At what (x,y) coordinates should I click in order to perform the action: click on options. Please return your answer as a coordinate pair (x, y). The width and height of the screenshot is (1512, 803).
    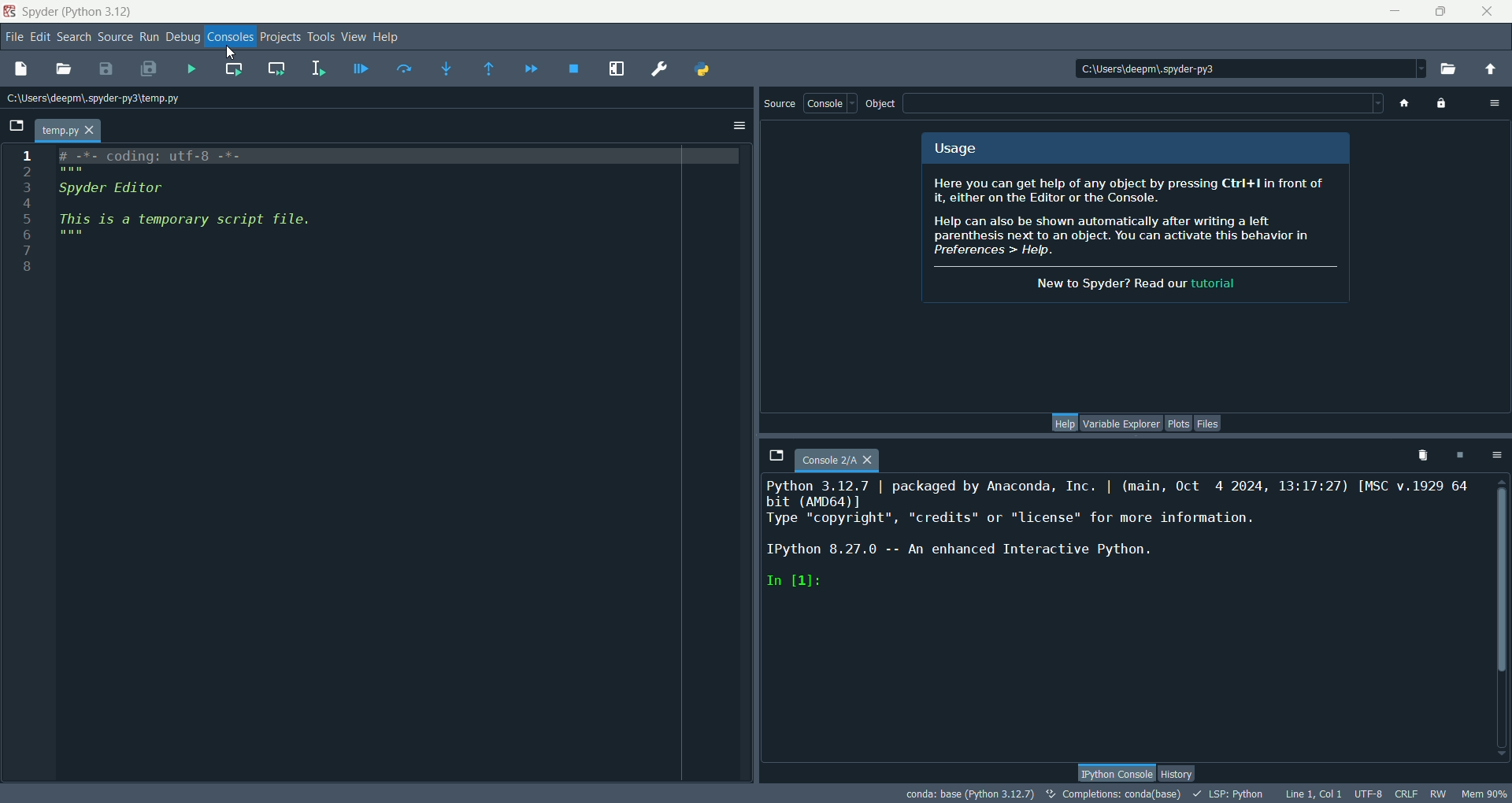
    Looking at the image, I should click on (1495, 102).